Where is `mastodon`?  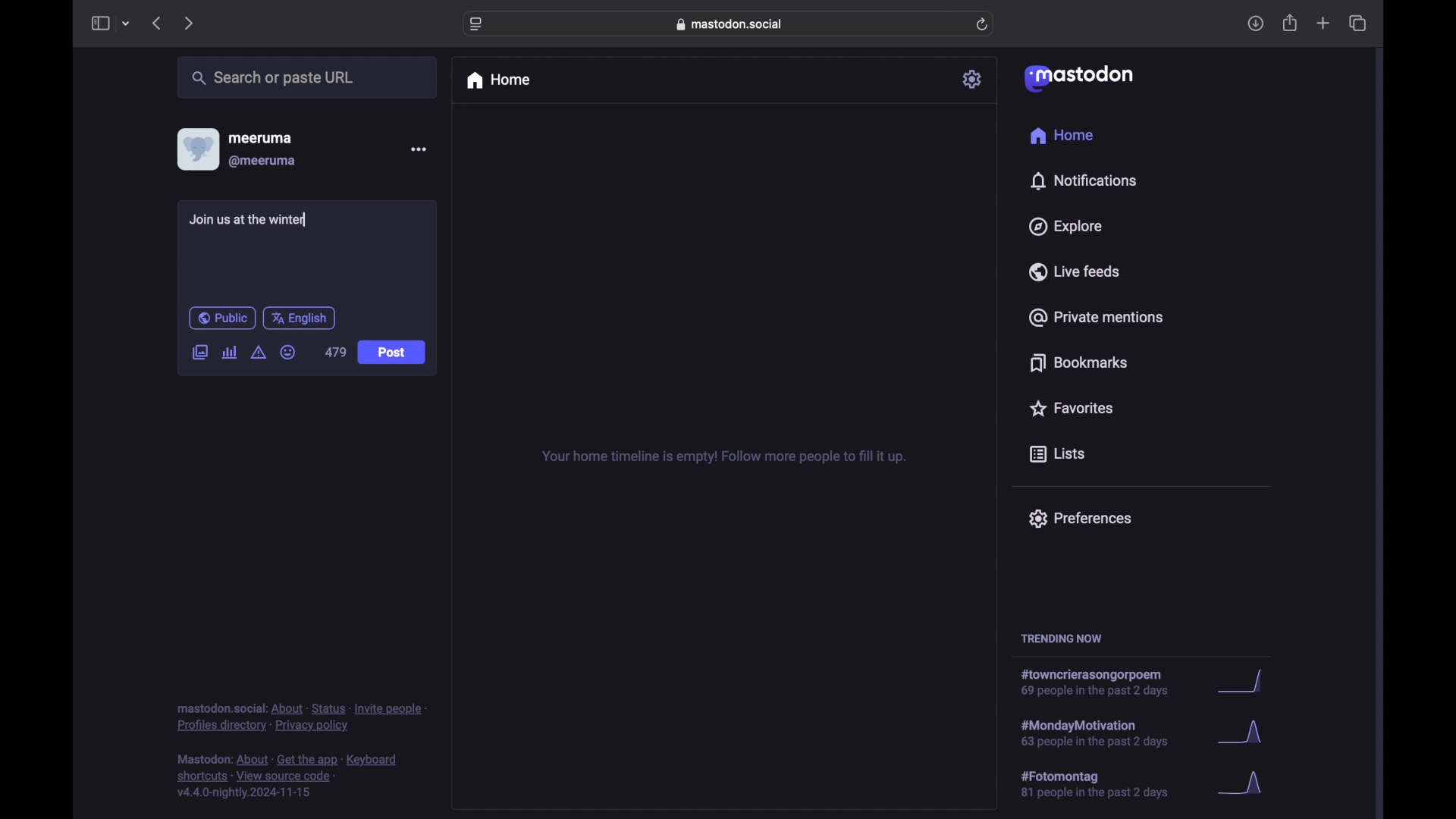 mastodon is located at coordinates (1077, 77).